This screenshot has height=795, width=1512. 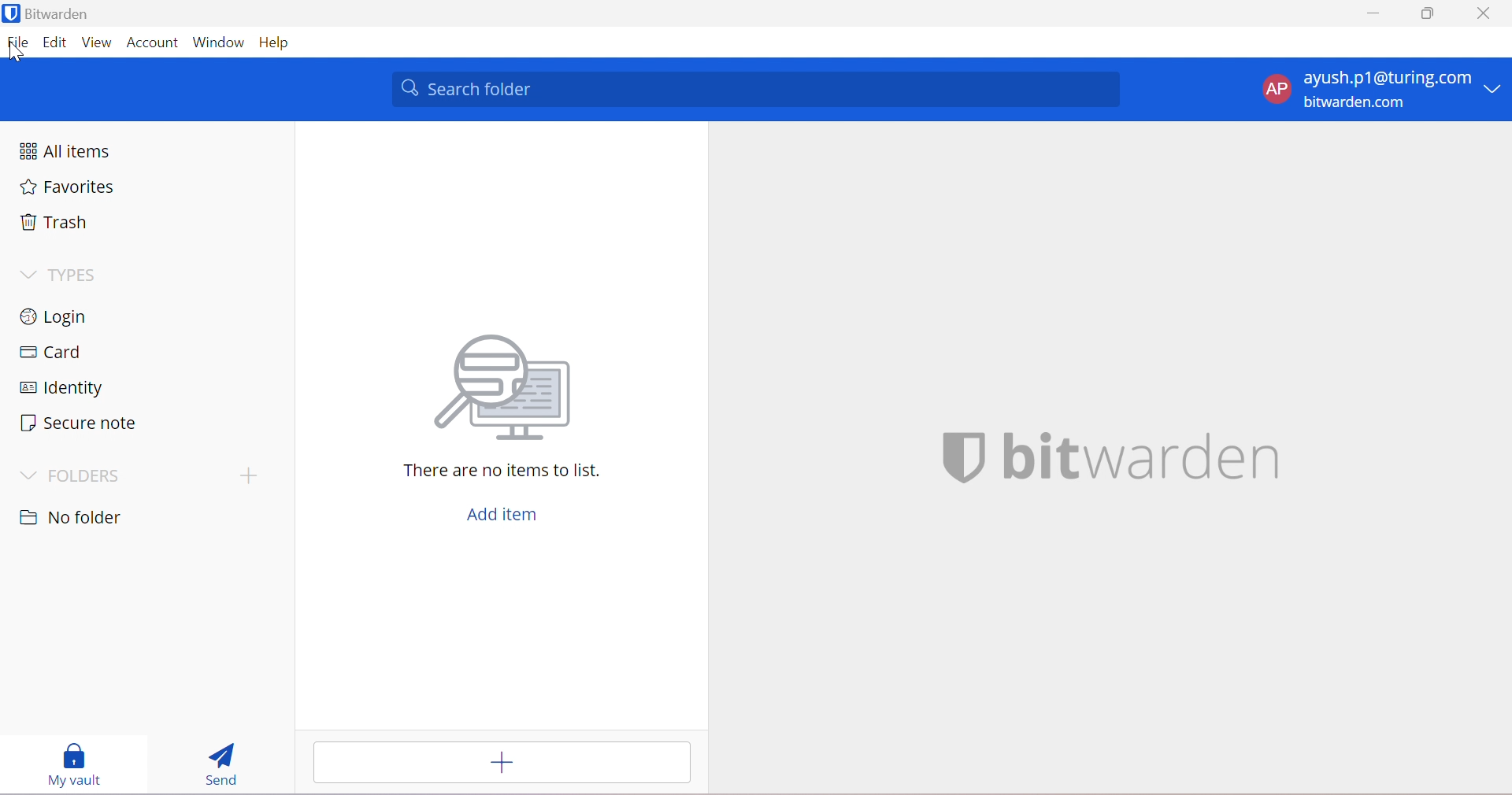 I want to click on All items, so click(x=65, y=149).